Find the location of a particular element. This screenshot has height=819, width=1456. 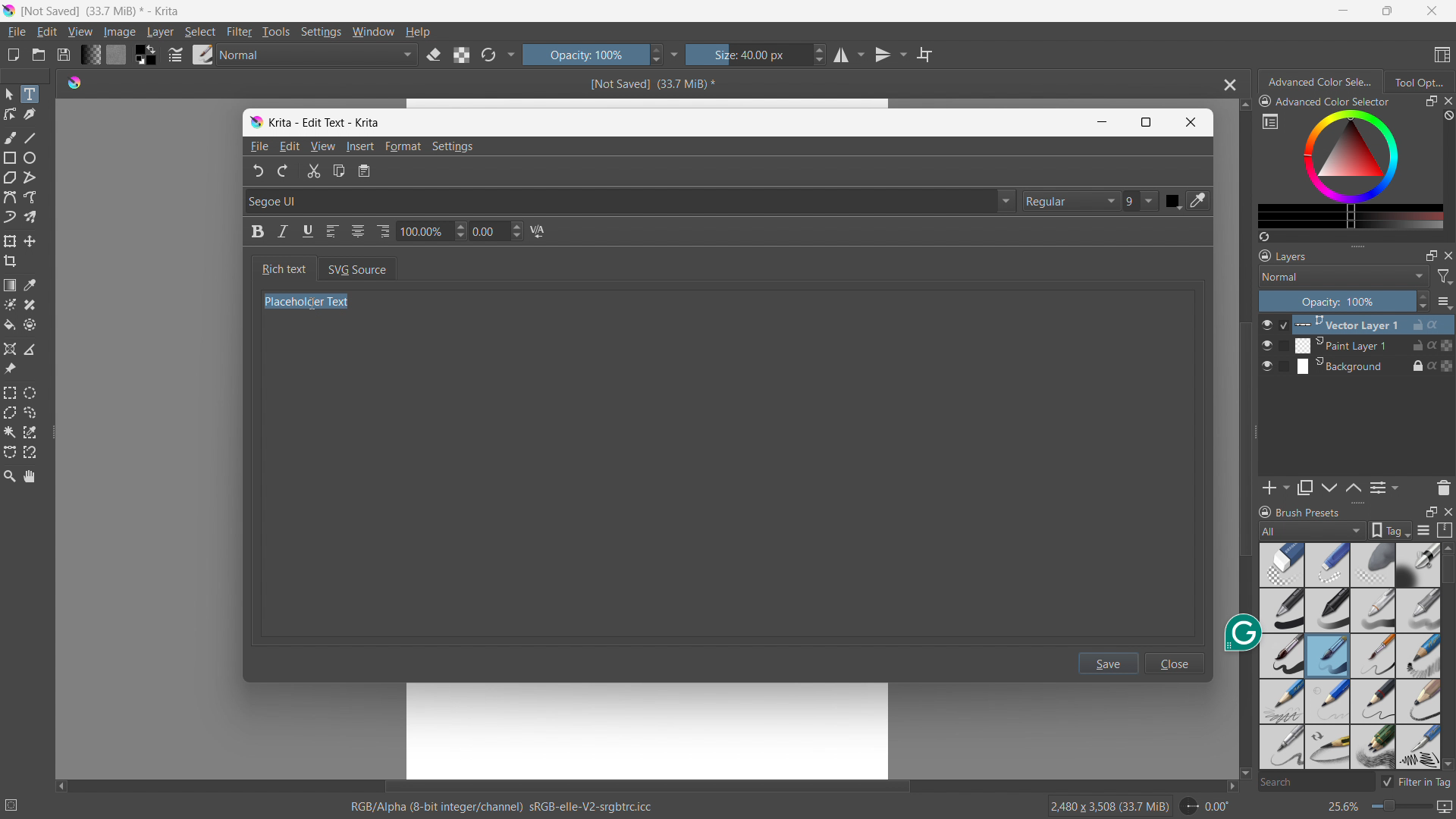

logo is located at coordinates (74, 81).